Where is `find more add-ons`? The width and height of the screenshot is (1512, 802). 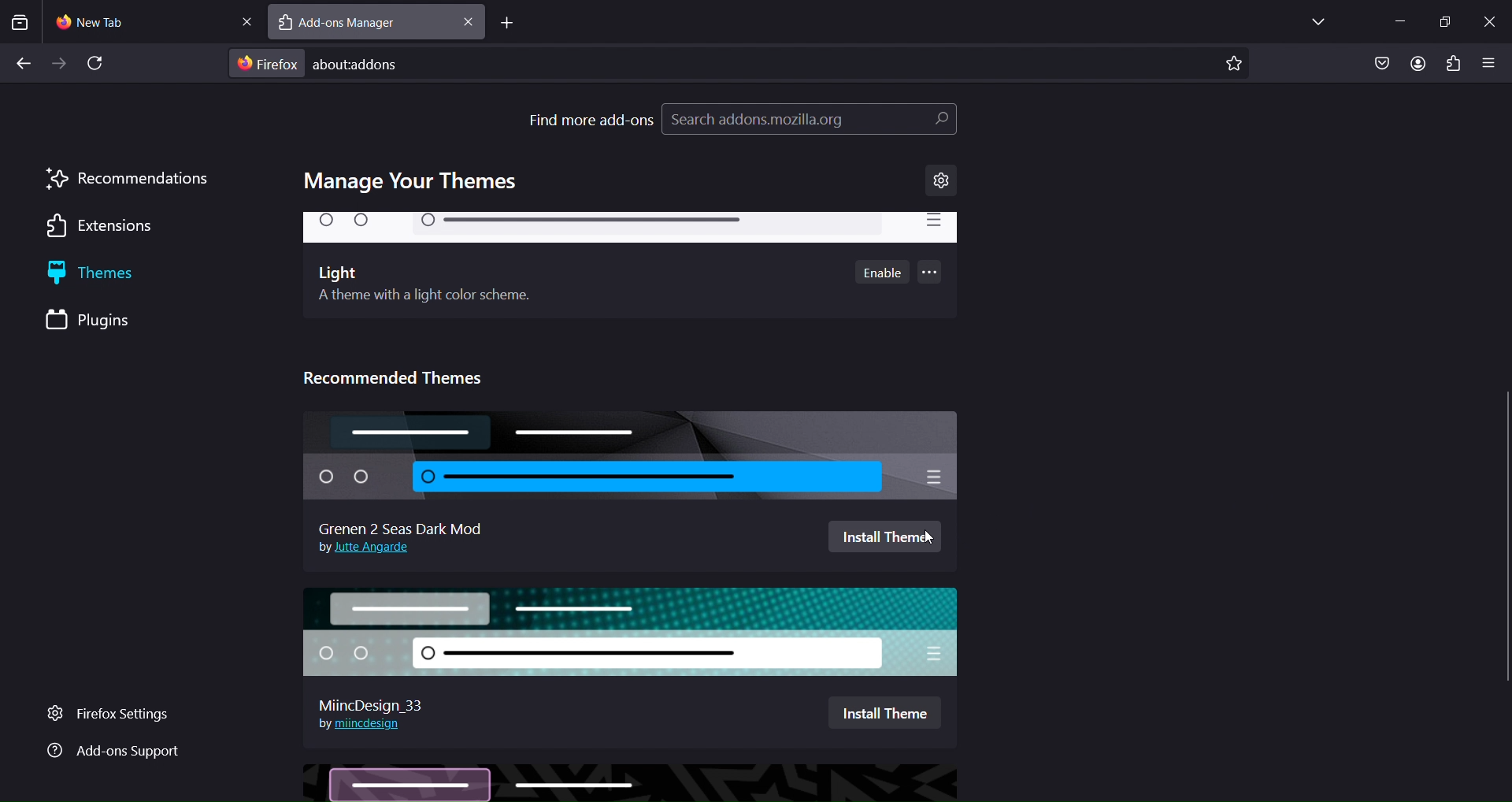 find more add-ons is located at coordinates (591, 119).